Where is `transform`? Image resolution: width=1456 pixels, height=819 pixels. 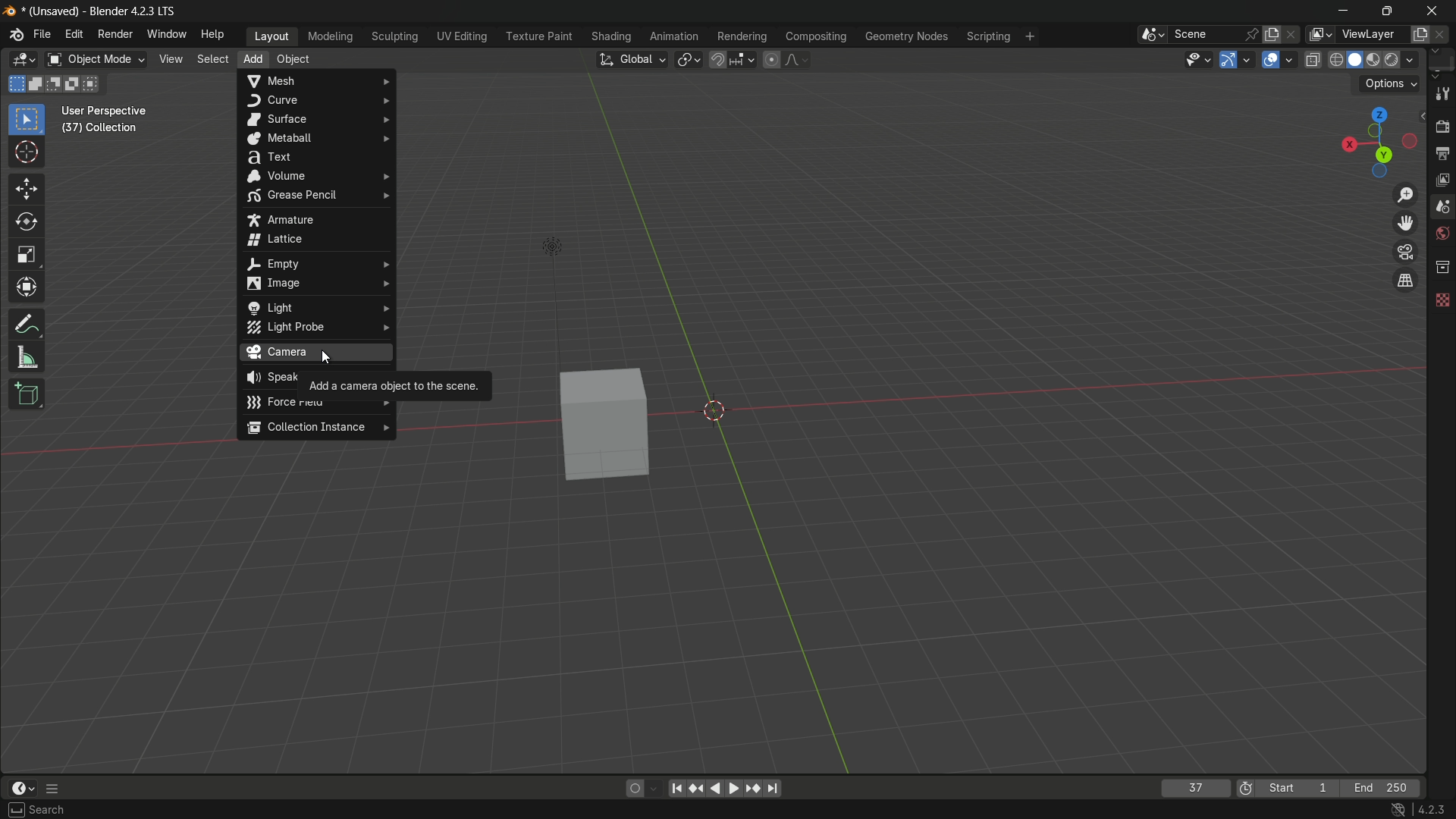
transform is located at coordinates (27, 290).